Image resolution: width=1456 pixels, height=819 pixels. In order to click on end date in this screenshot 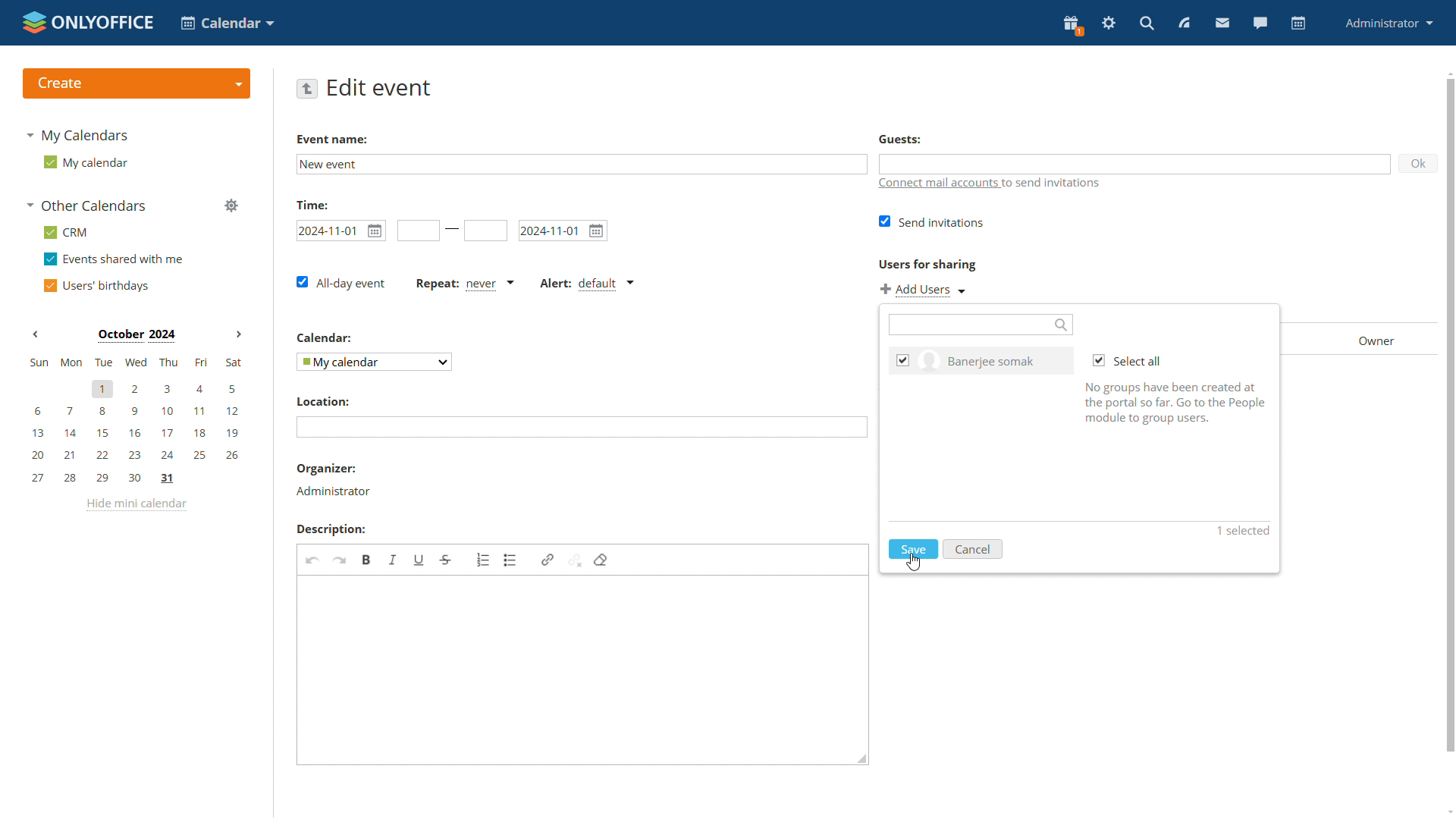, I will do `click(561, 231)`.